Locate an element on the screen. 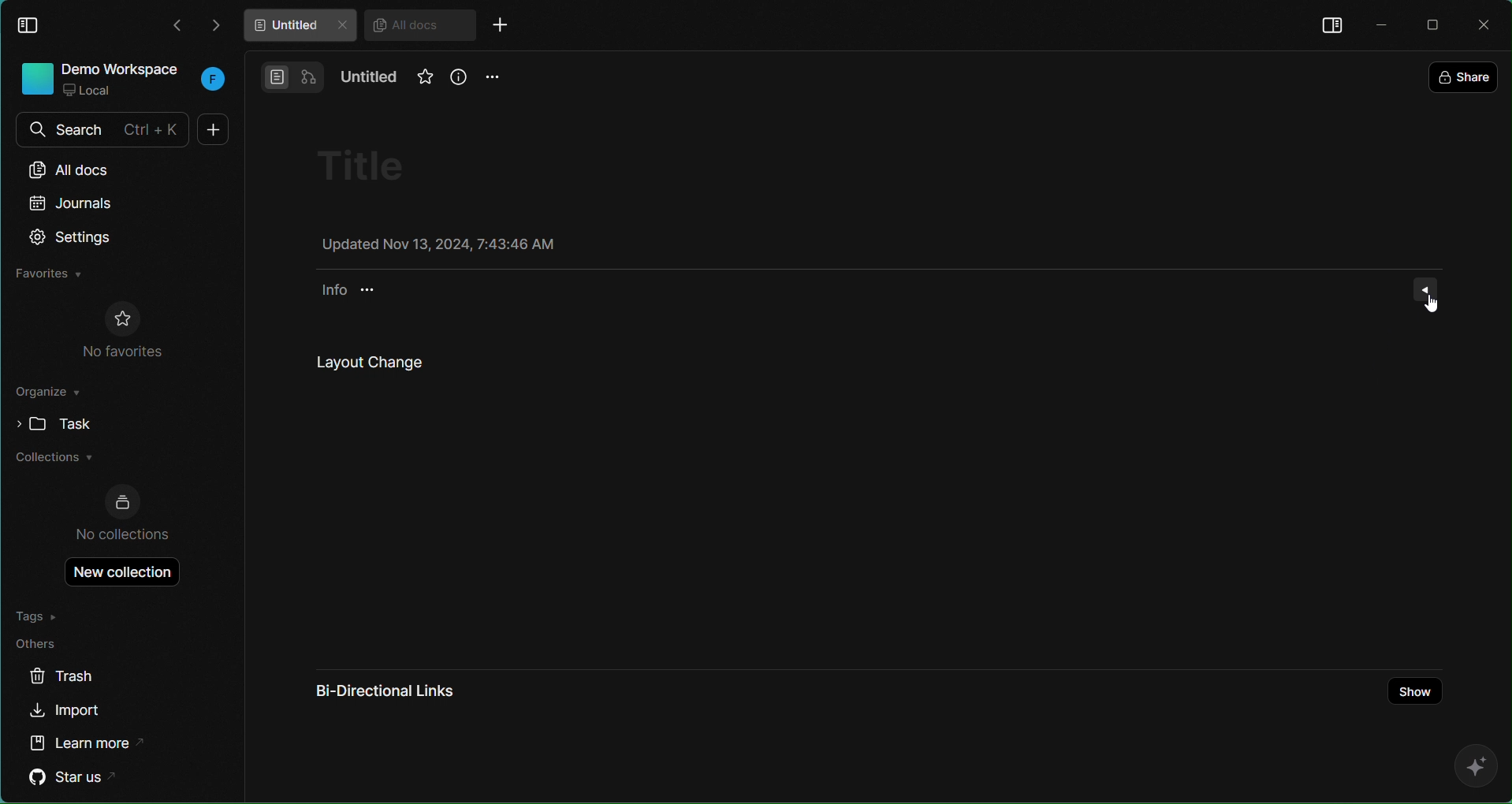  + is located at coordinates (507, 27).